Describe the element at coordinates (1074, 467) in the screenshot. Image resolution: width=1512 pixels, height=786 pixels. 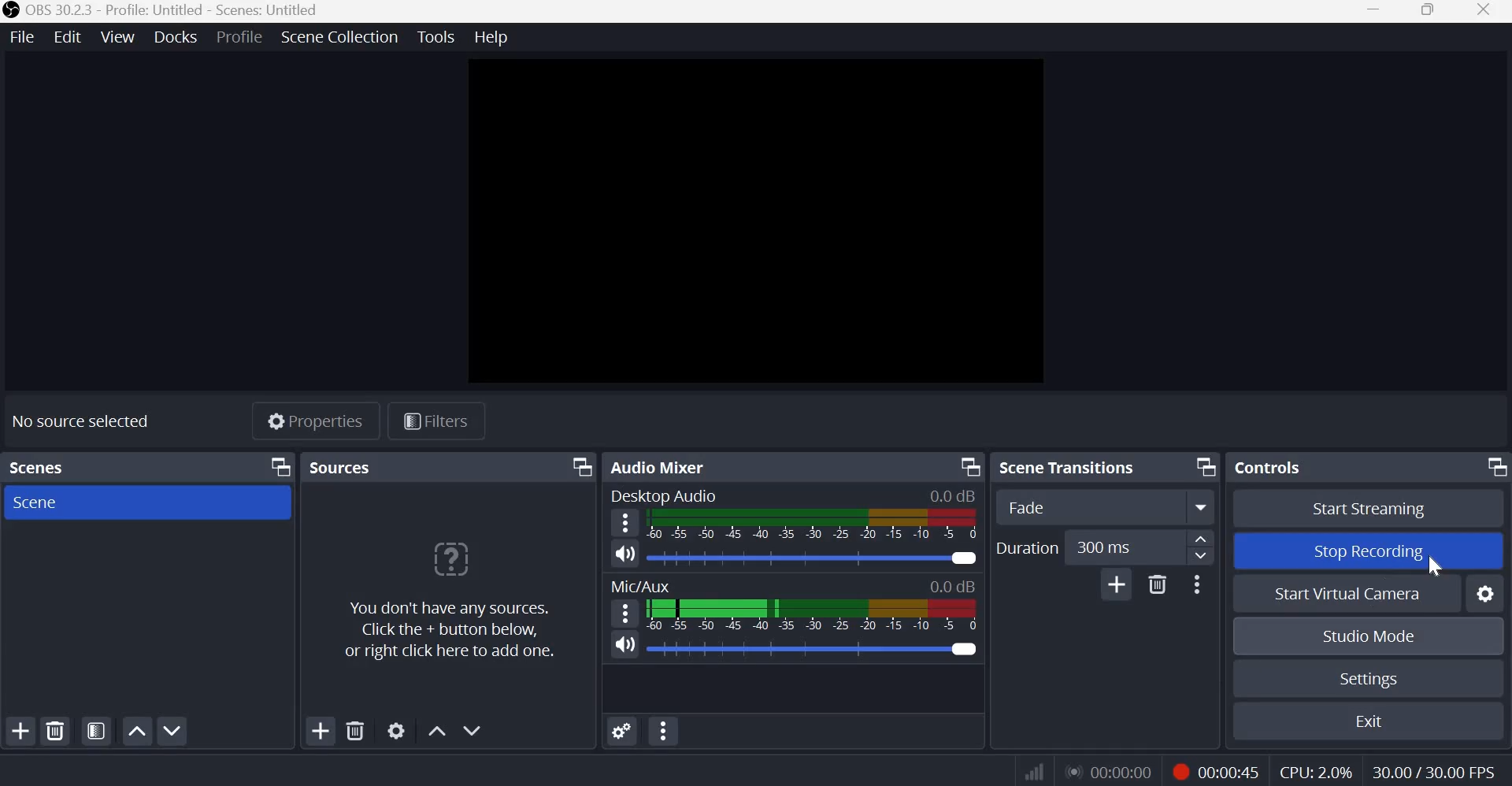
I see `Scene transitions` at that location.